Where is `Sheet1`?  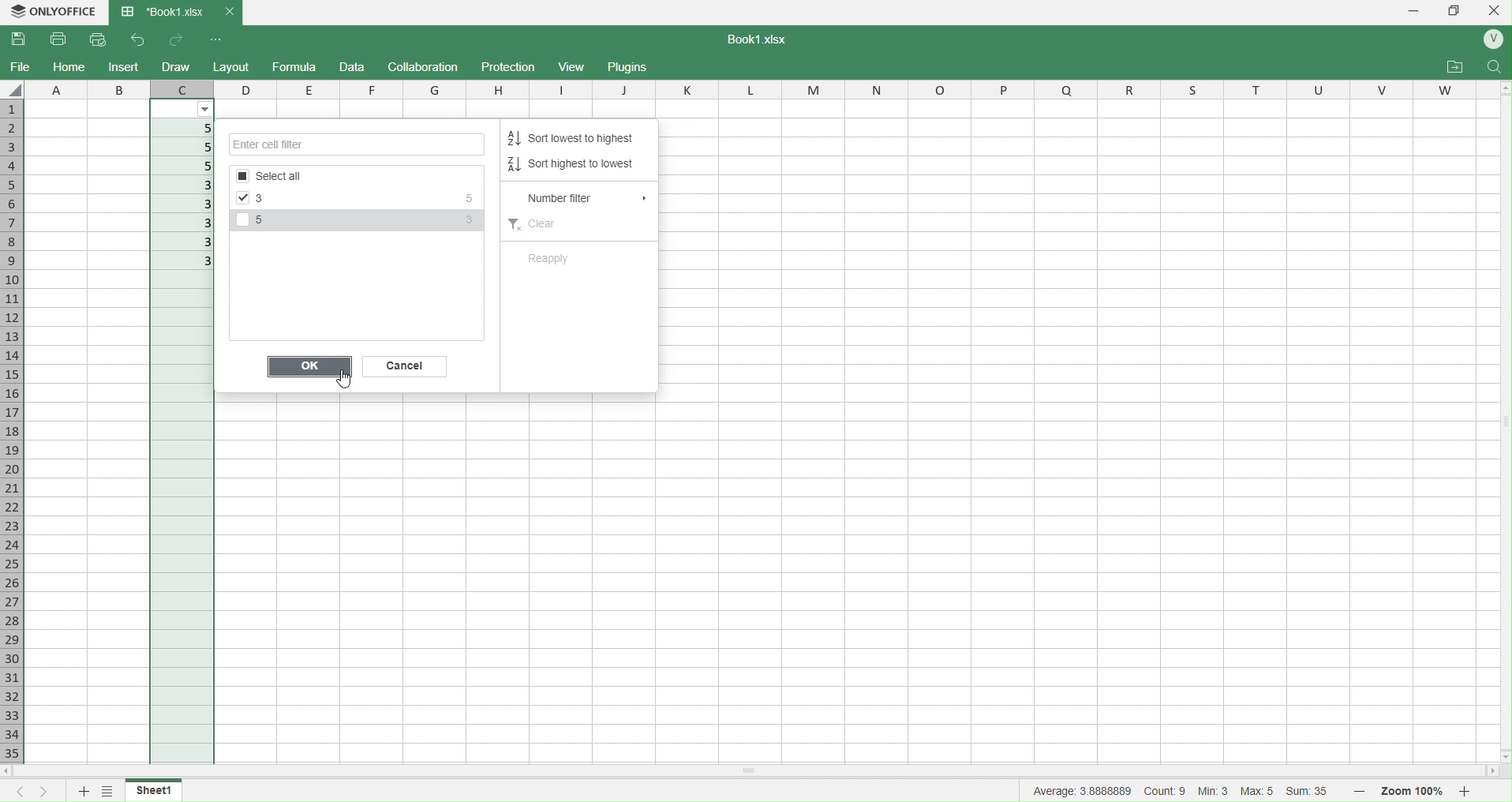 Sheet1 is located at coordinates (161, 790).